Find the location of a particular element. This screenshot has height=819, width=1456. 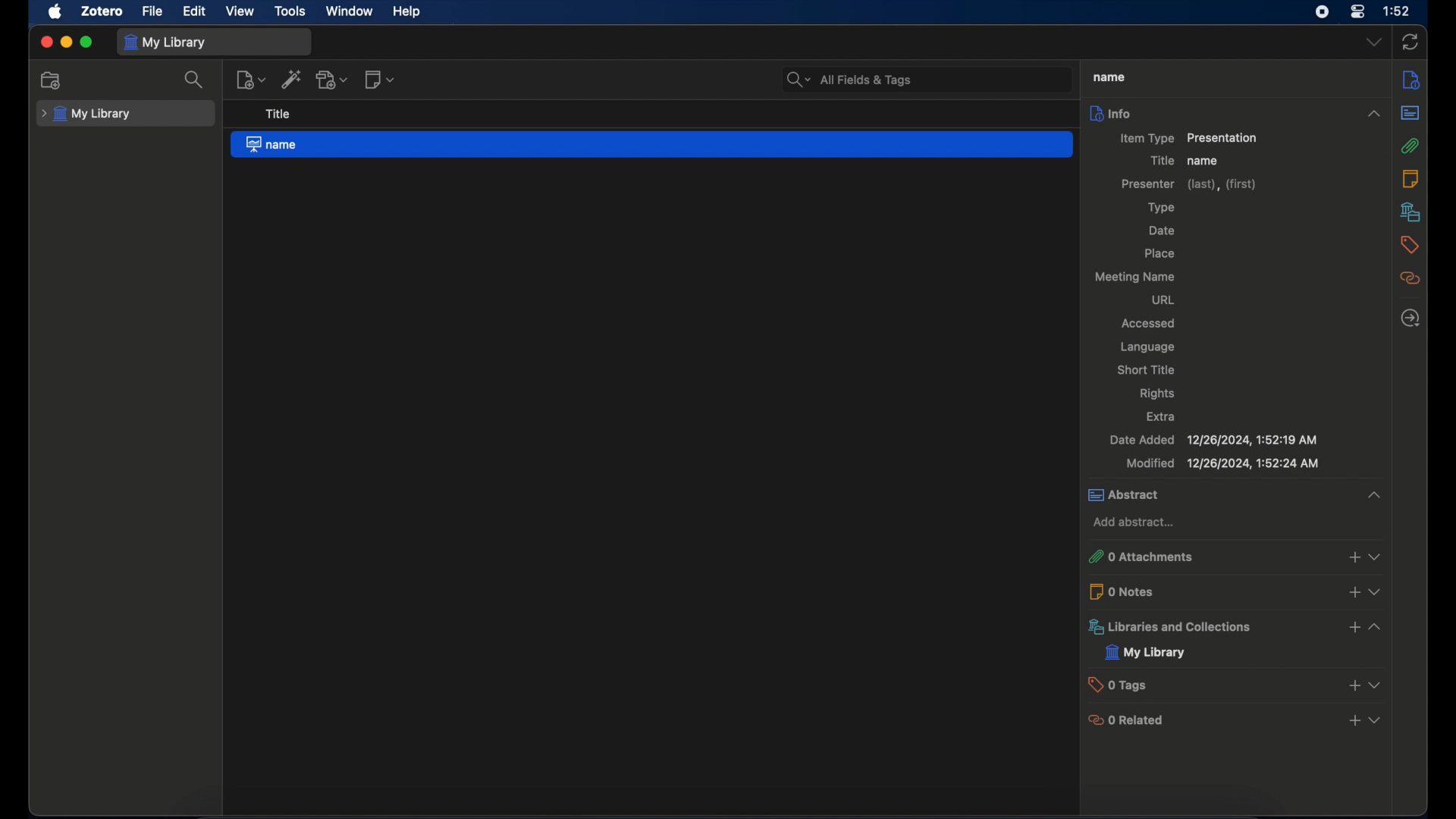

attachments is located at coordinates (1410, 146).